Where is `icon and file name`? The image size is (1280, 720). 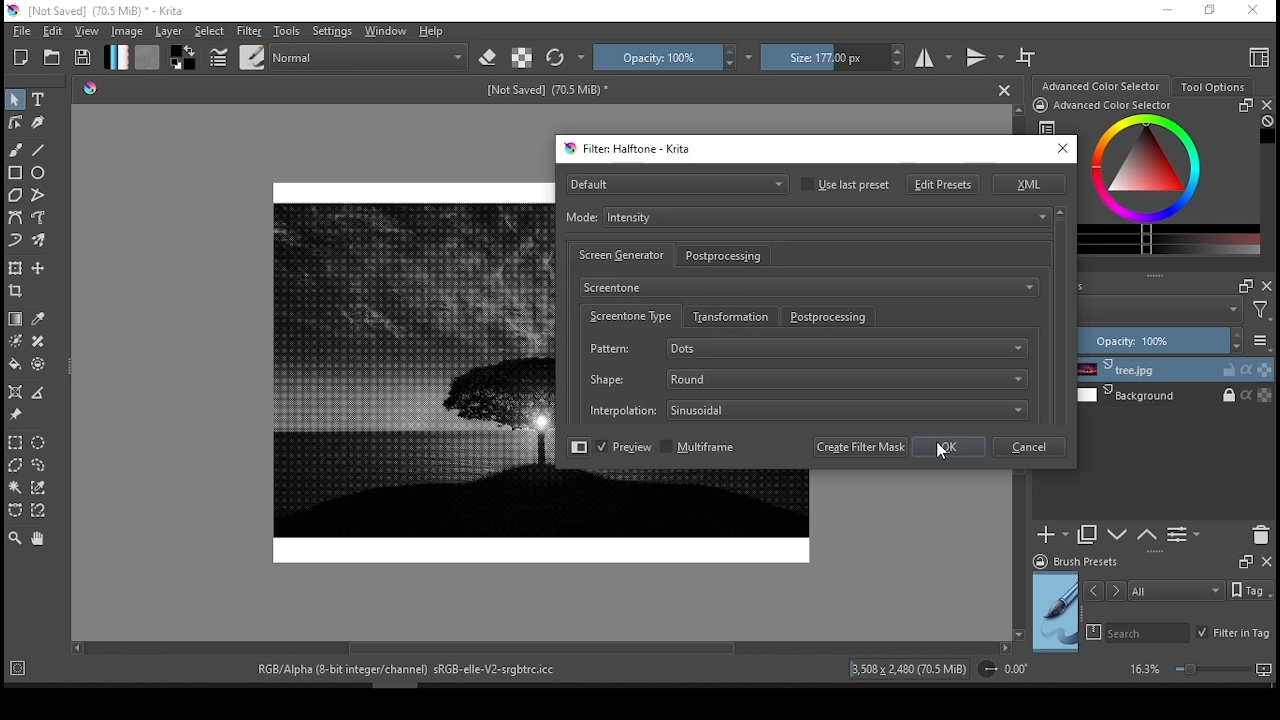
icon and file name is located at coordinates (112, 11).